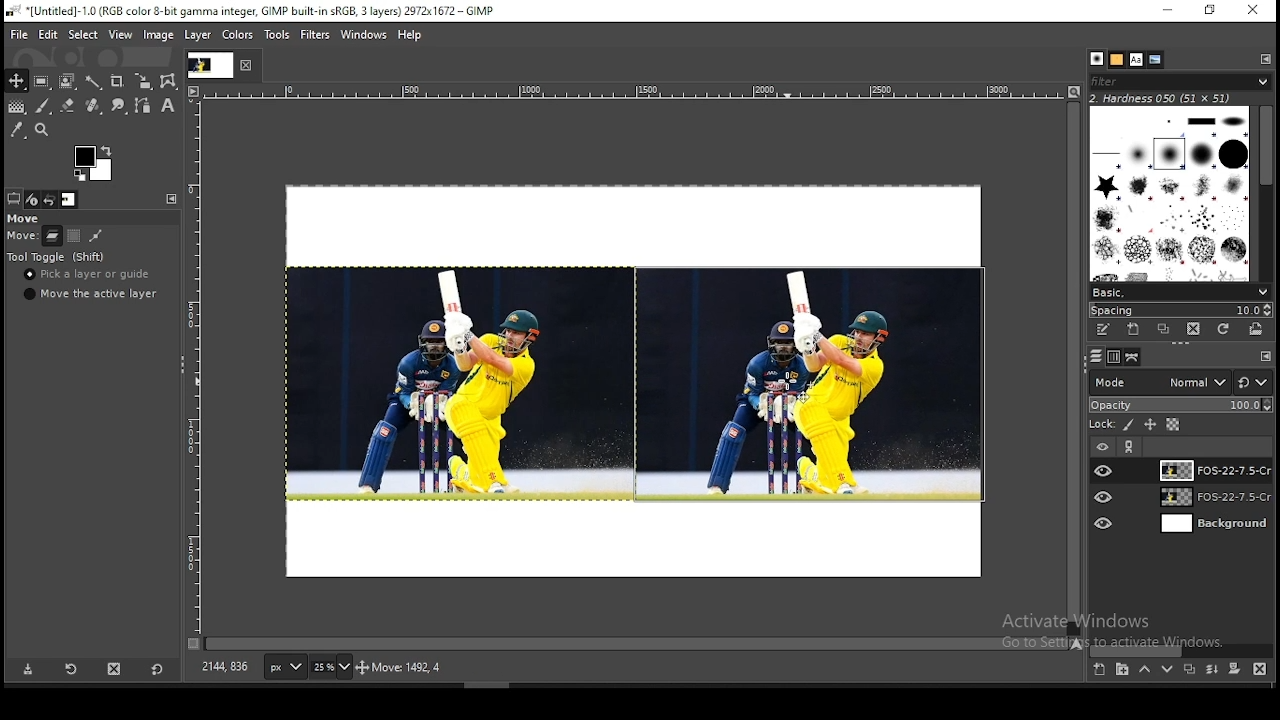  Describe the element at coordinates (16, 108) in the screenshot. I see `gradient tool` at that location.